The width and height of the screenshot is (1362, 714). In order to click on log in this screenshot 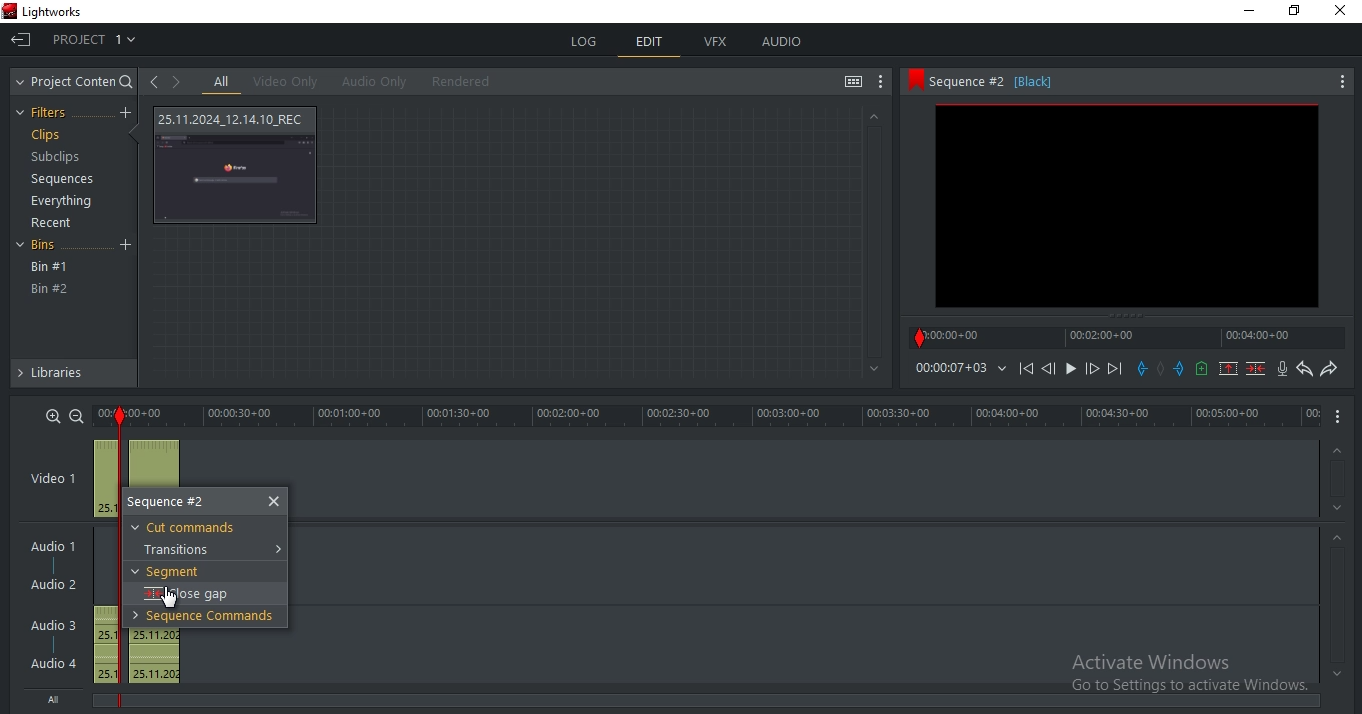, I will do `click(586, 42)`.